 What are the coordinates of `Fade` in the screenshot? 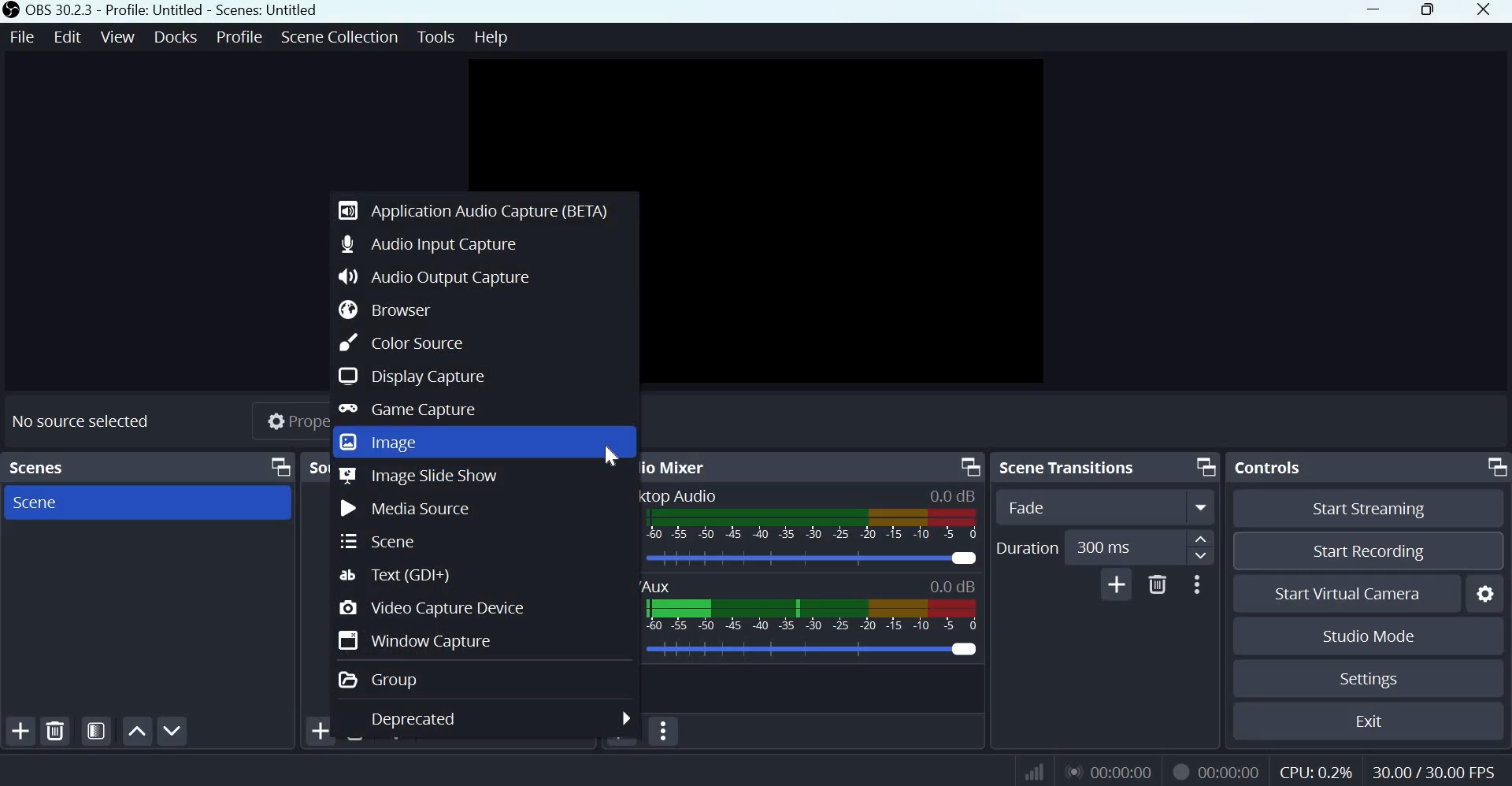 It's located at (1084, 506).